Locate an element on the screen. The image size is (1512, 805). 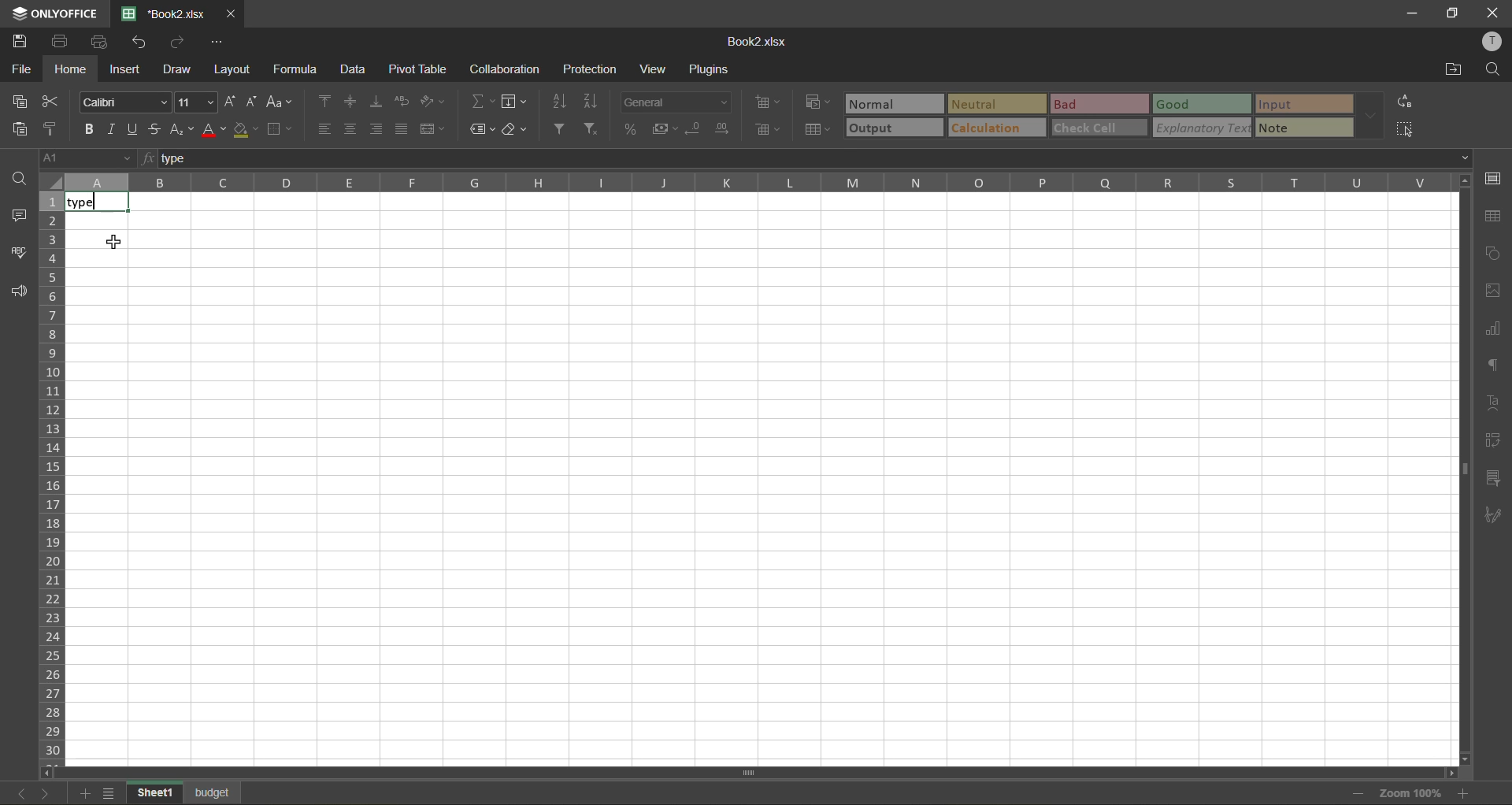
font size is located at coordinates (195, 103).